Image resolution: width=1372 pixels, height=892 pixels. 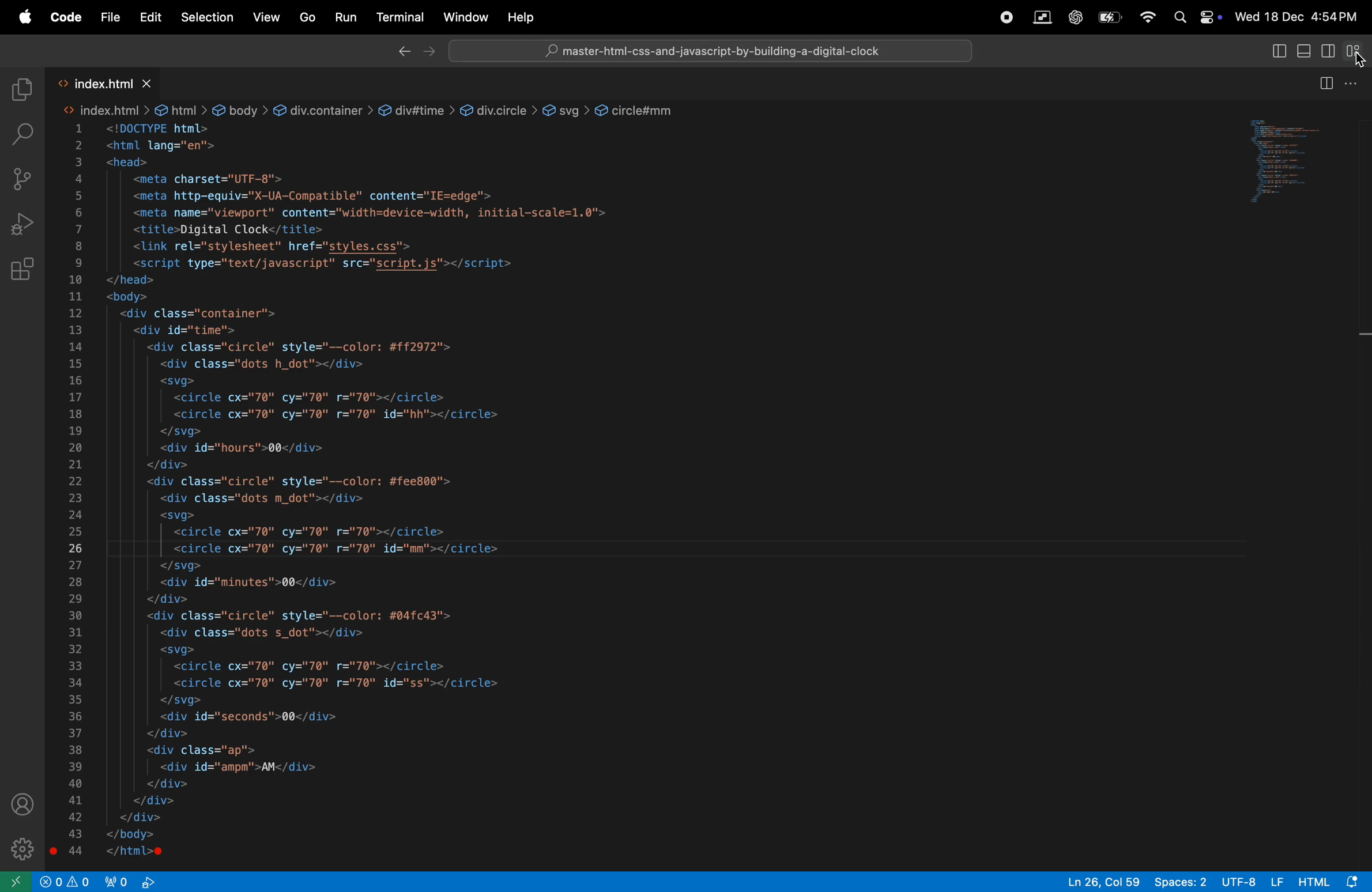 What do you see at coordinates (24, 177) in the screenshot?
I see `source control` at bounding box center [24, 177].